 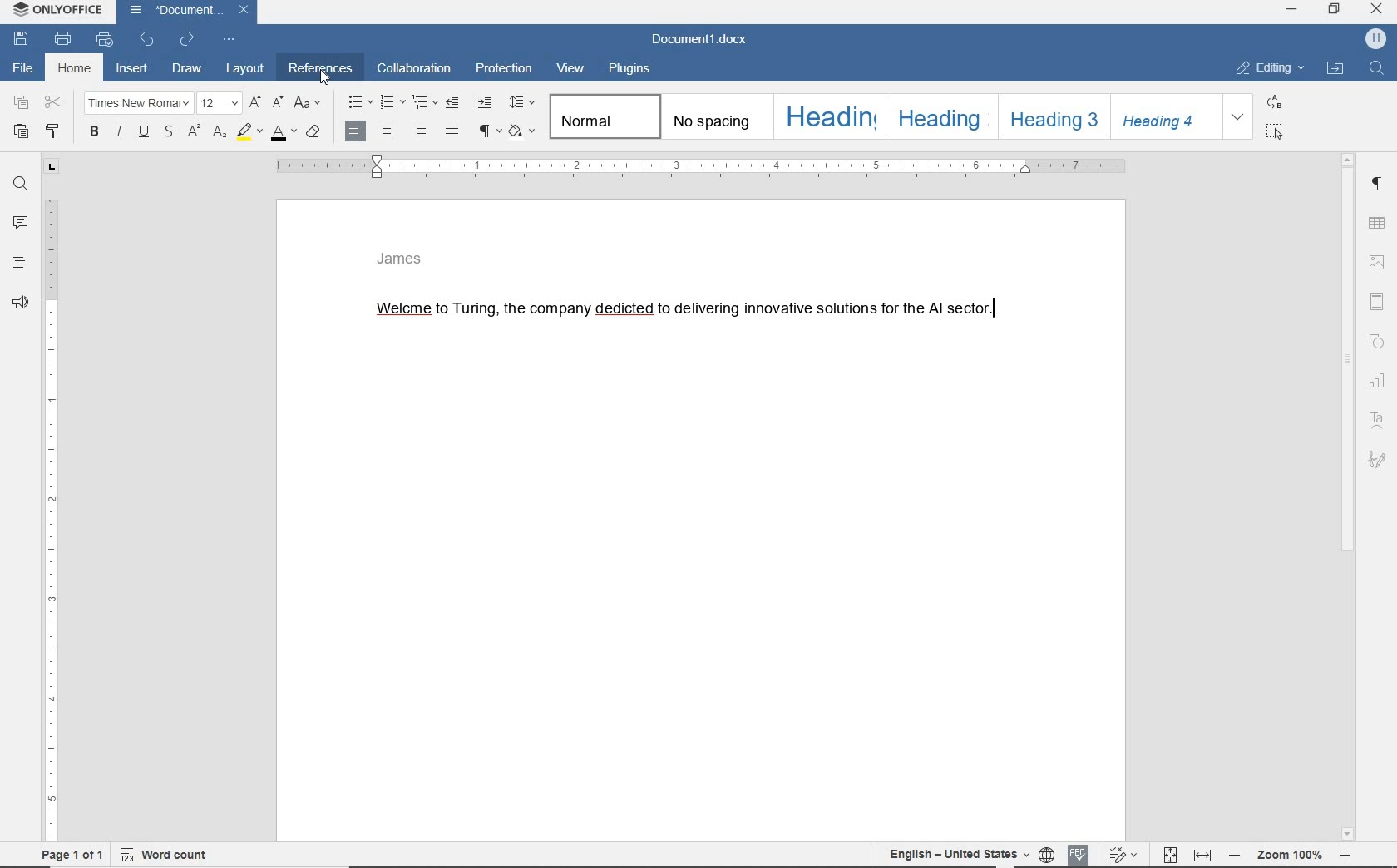 What do you see at coordinates (633, 70) in the screenshot?
I see `plugins` at bounding box center [633, 70].